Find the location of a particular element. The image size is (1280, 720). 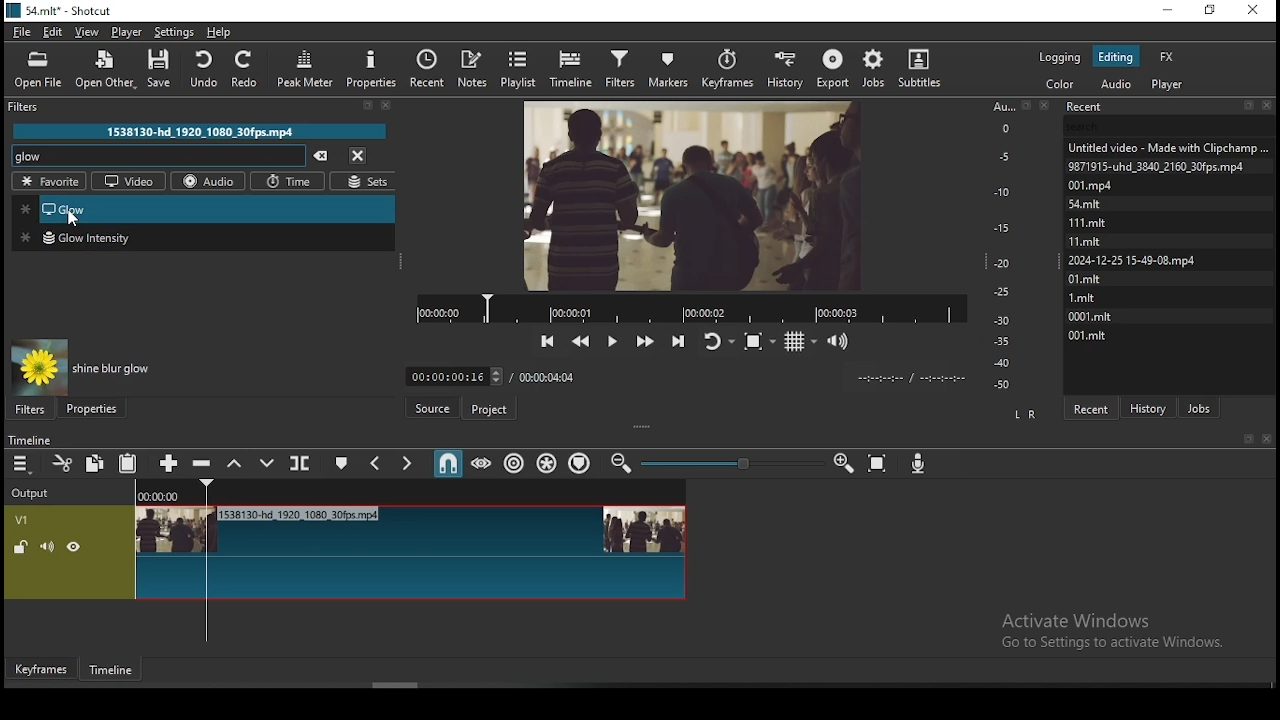

zoom in or zoom out slider is located at coordinates (732, 465).